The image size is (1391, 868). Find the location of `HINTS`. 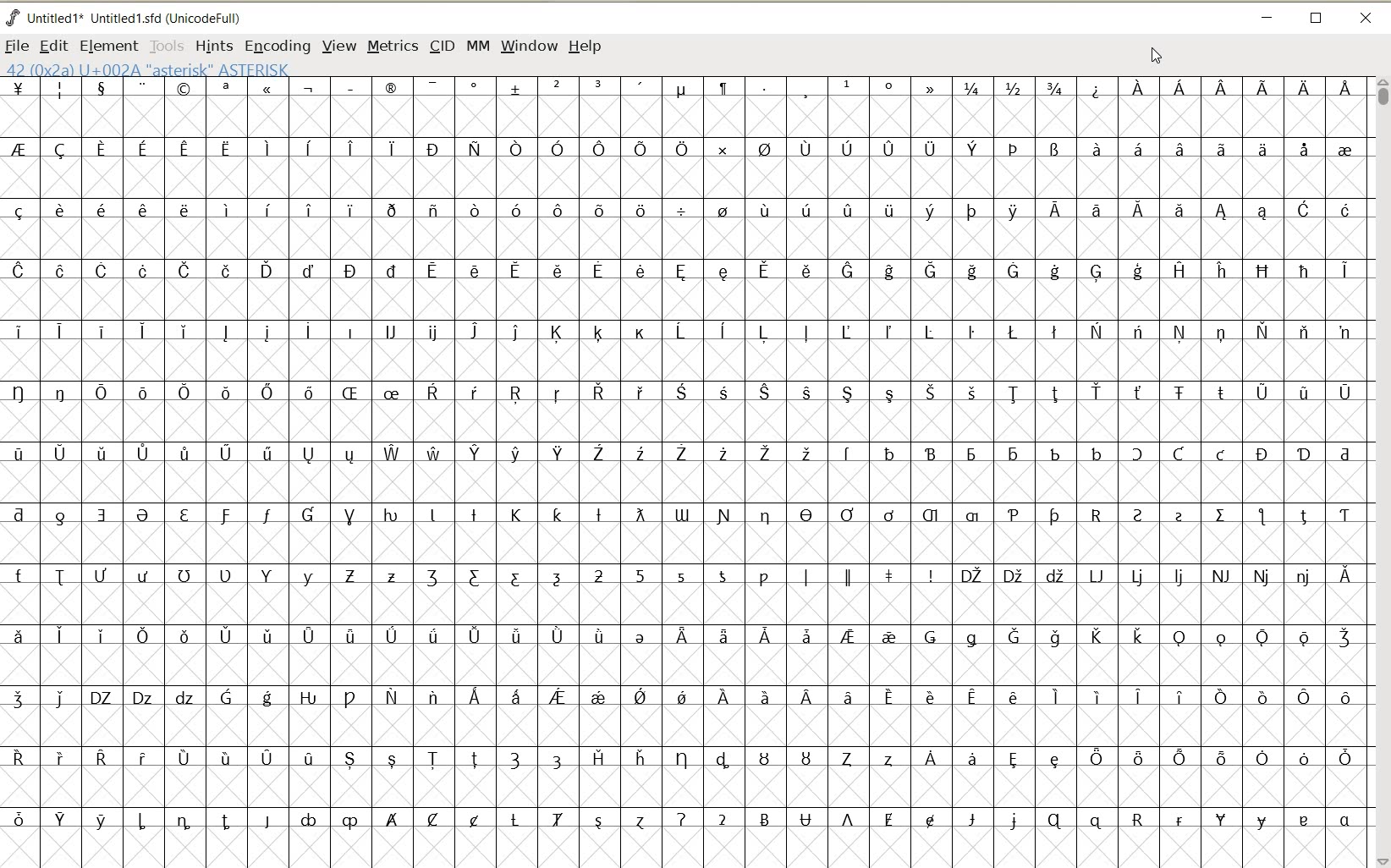

HINTS is located at coordinates (213, 47).